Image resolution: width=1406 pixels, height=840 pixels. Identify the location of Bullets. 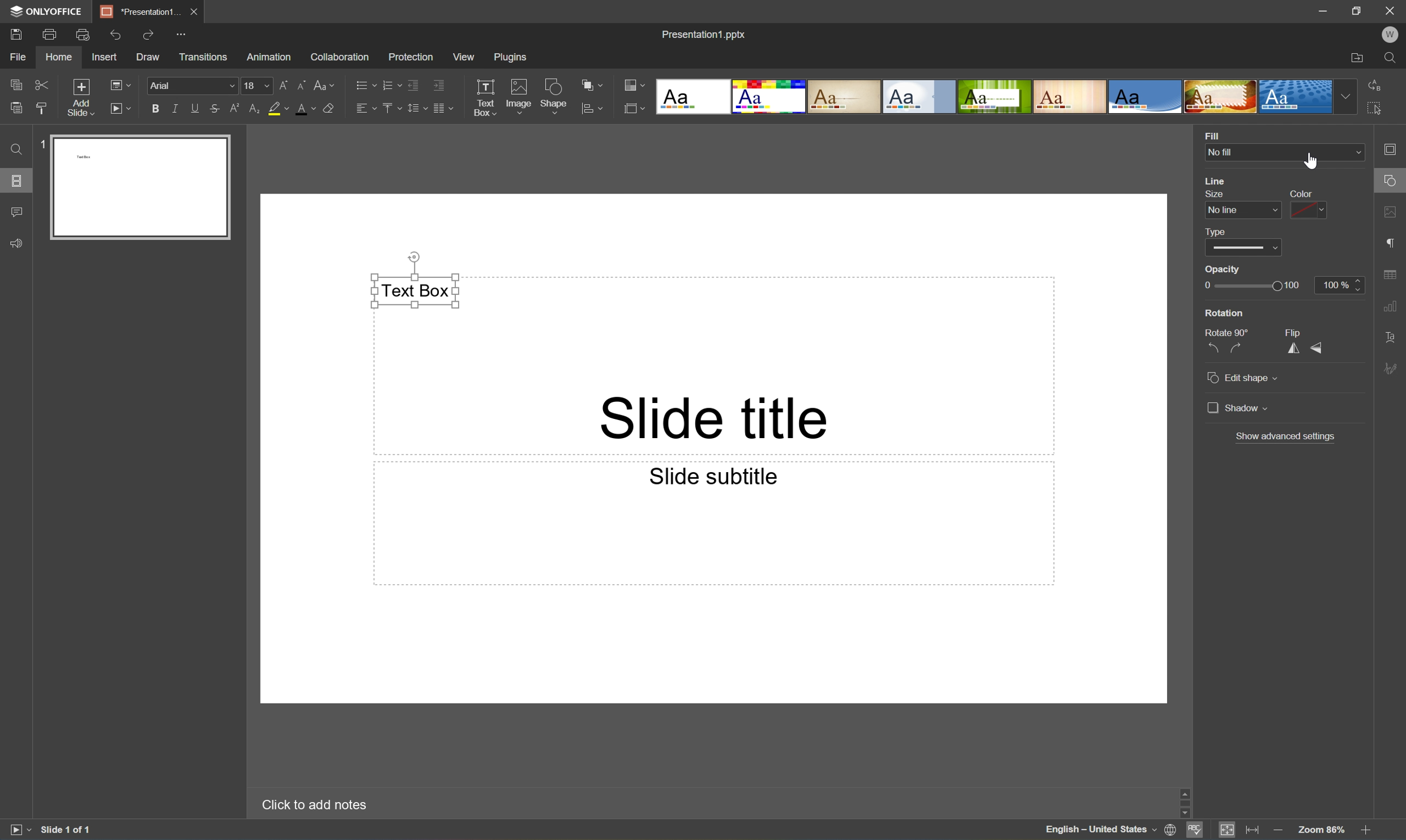
(360, 85).